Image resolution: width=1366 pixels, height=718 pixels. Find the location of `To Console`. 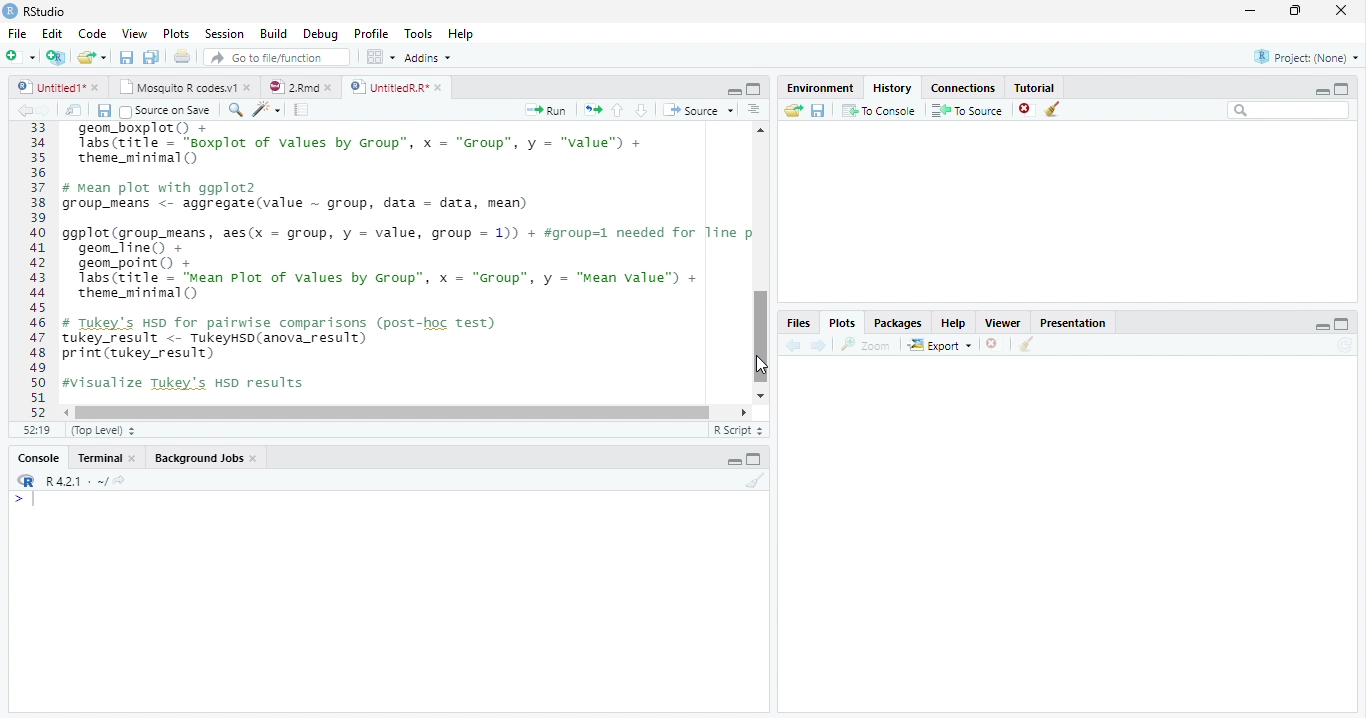

To Console is located at coordinates (879, 110).